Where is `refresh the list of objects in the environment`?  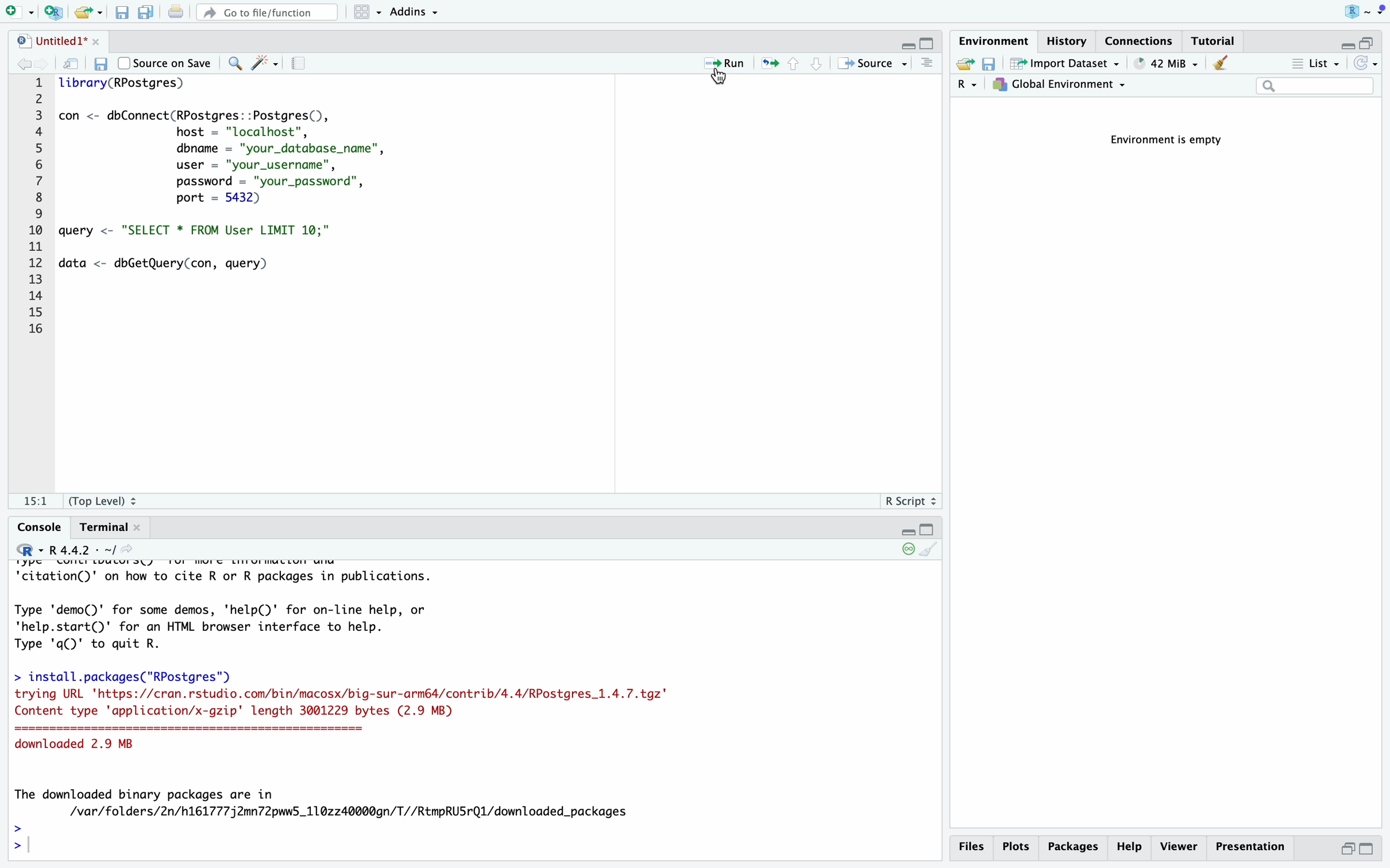
refresh the list of objects in the environment is located at coordinates (1368, 65).